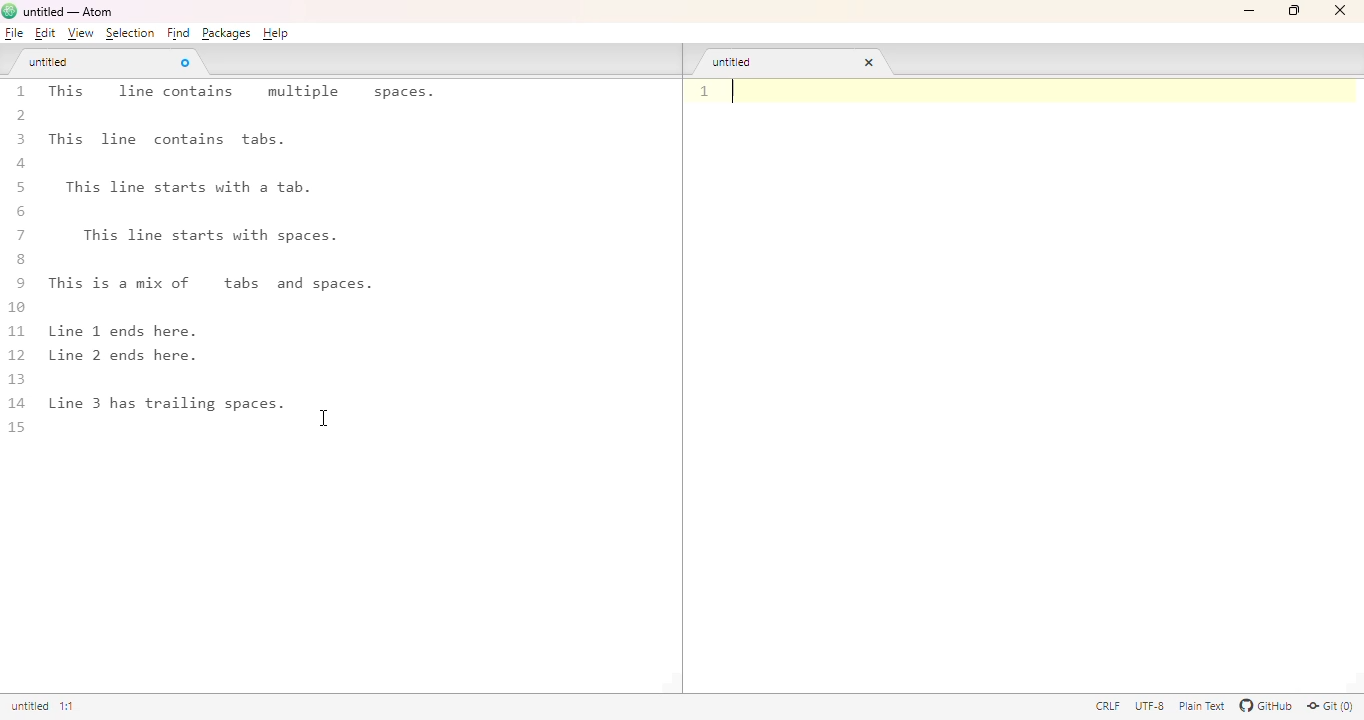  What do you see at coordinates (1267, 706) in the screenshot?
I see `GitHub` at bounding box center [1267, 706].